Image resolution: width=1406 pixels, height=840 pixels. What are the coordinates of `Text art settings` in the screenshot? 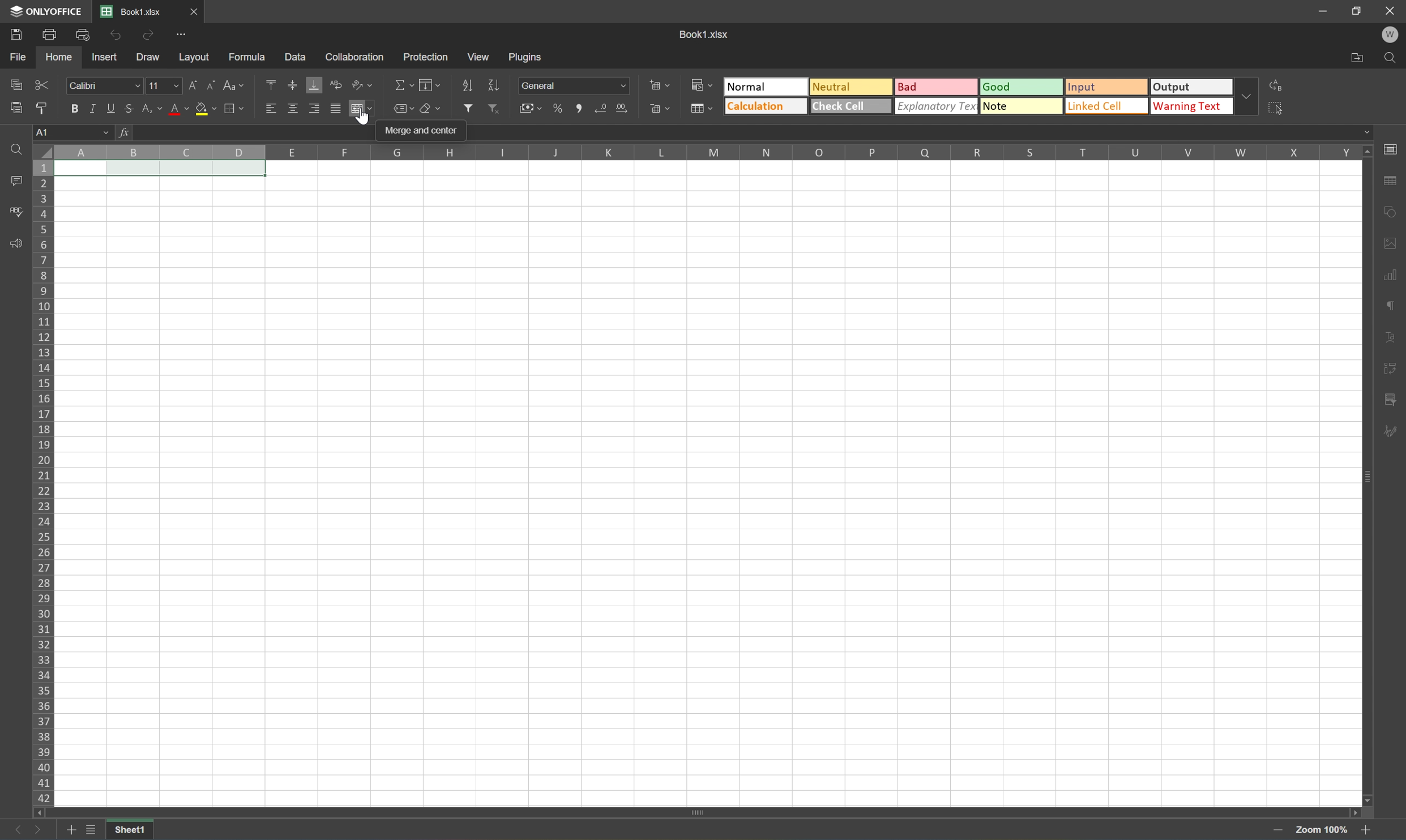 It's located at (1390, 338).